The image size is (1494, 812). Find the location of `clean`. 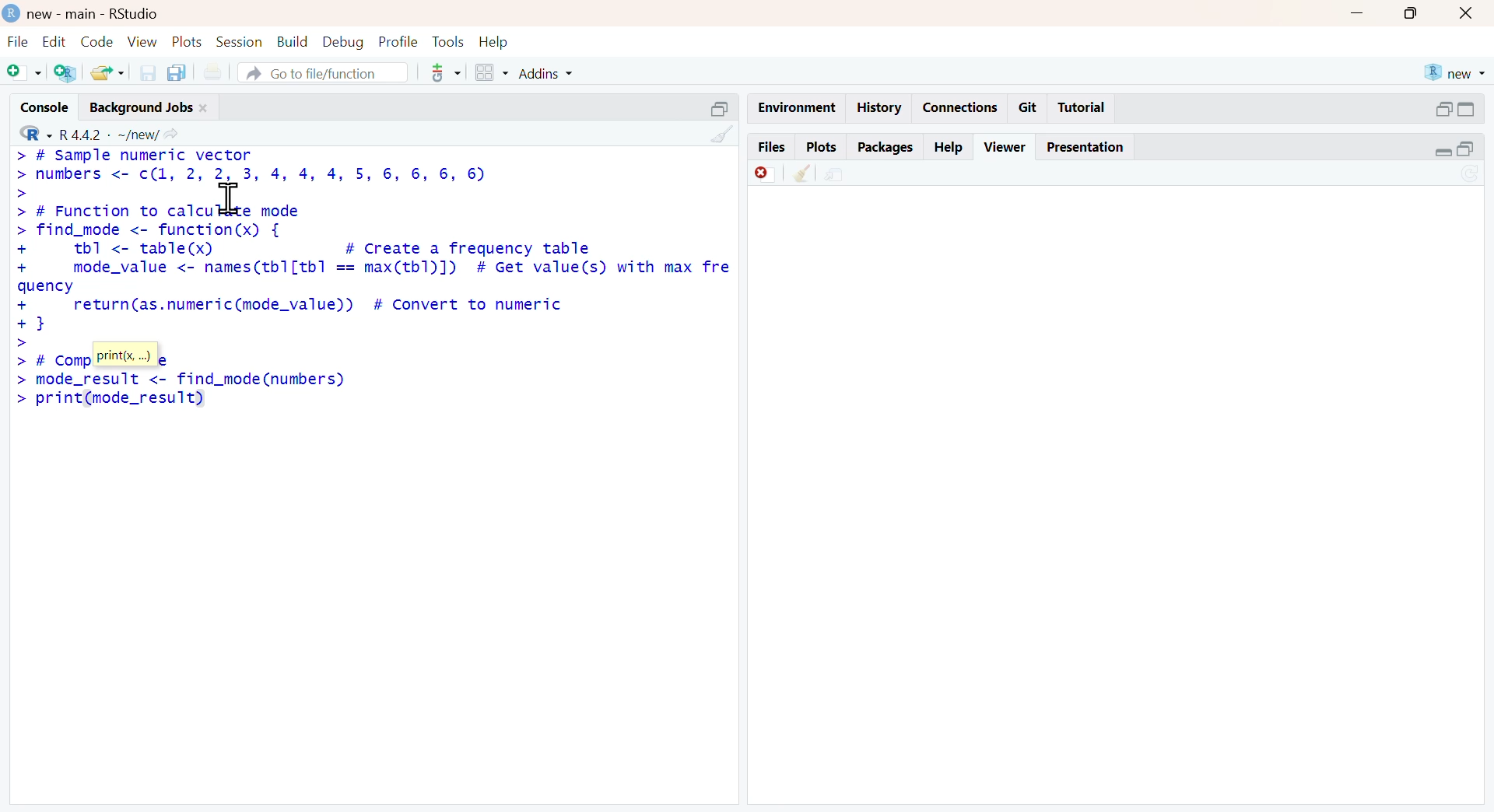

clean is located at coordinates (805, 173).